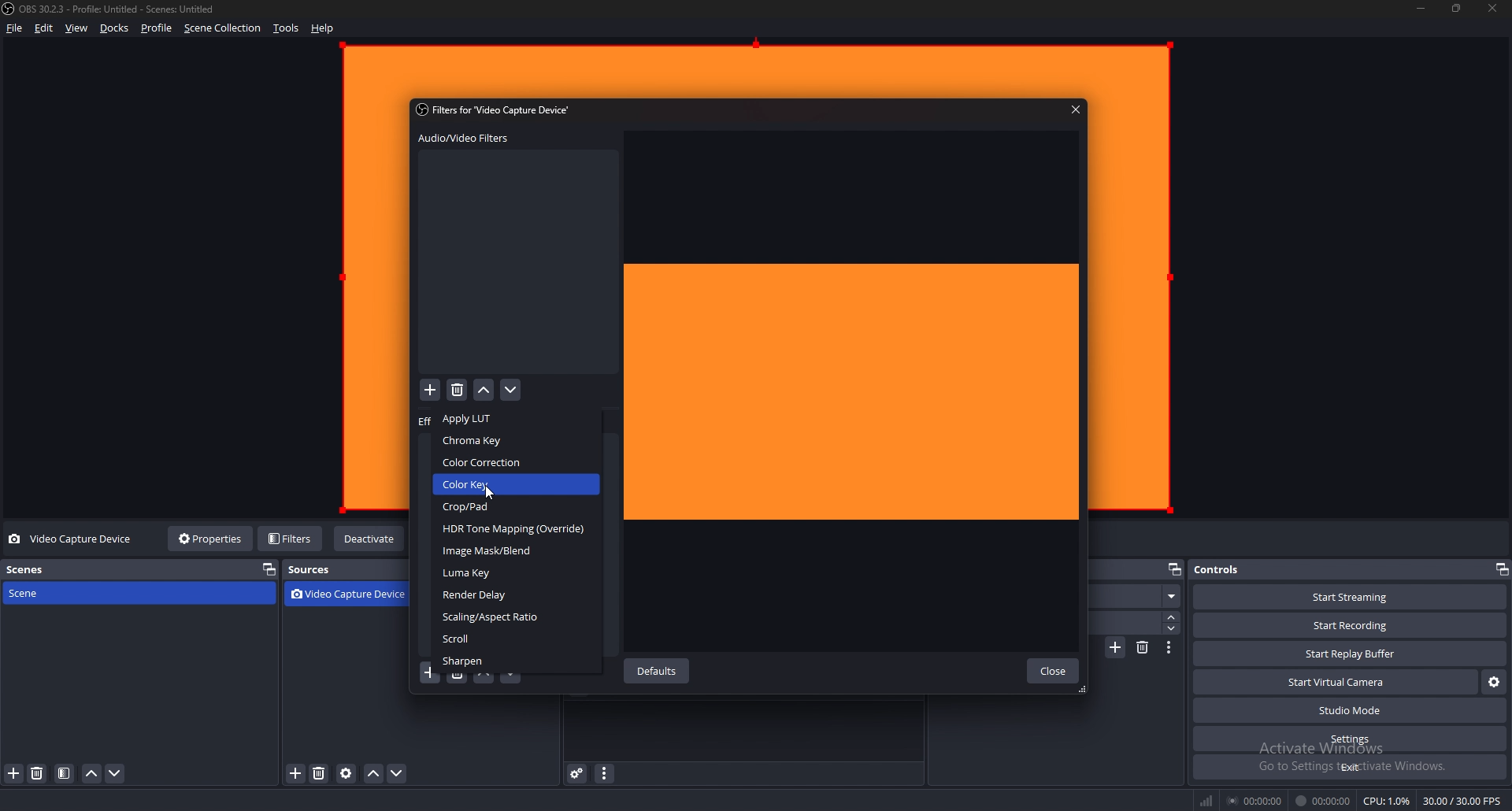  What do you see at coordinates (370, 539) in the screenshot?
I see `deactivate` at bounding box center [370, 539].